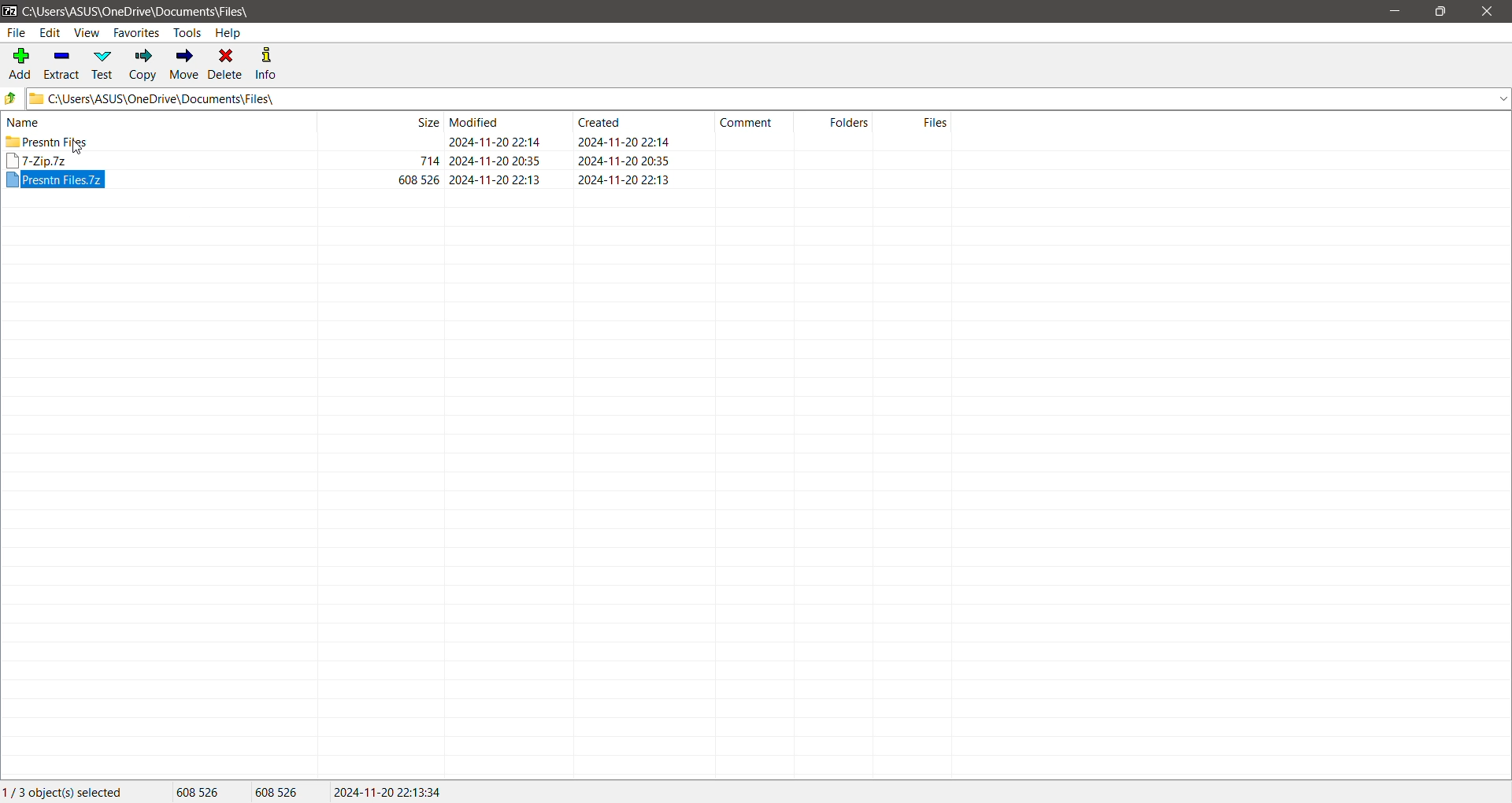  Describe the element at coordinates (624, 160) in the screenshot. I see `created date & time` at that location.